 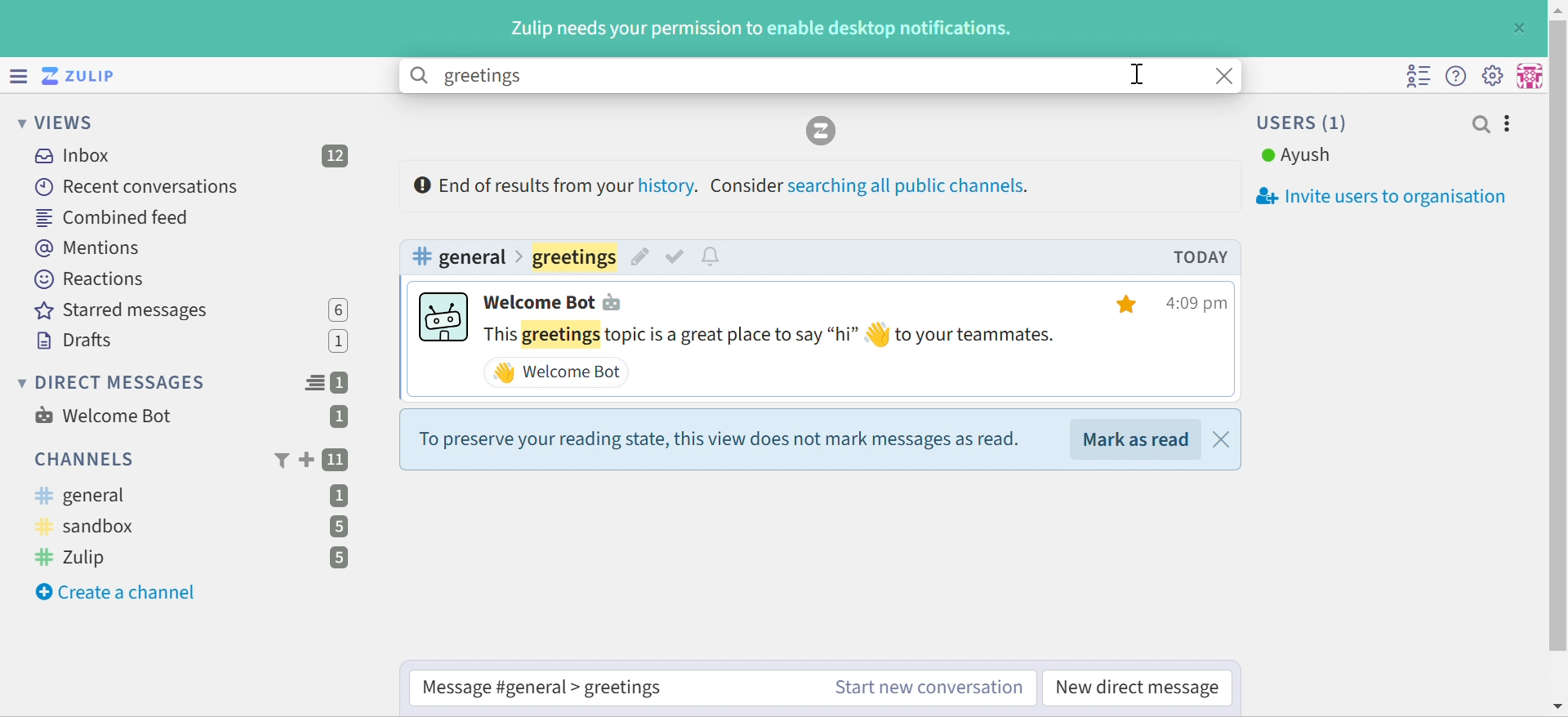 I want to click on Close, so click(x=1521, y=27).